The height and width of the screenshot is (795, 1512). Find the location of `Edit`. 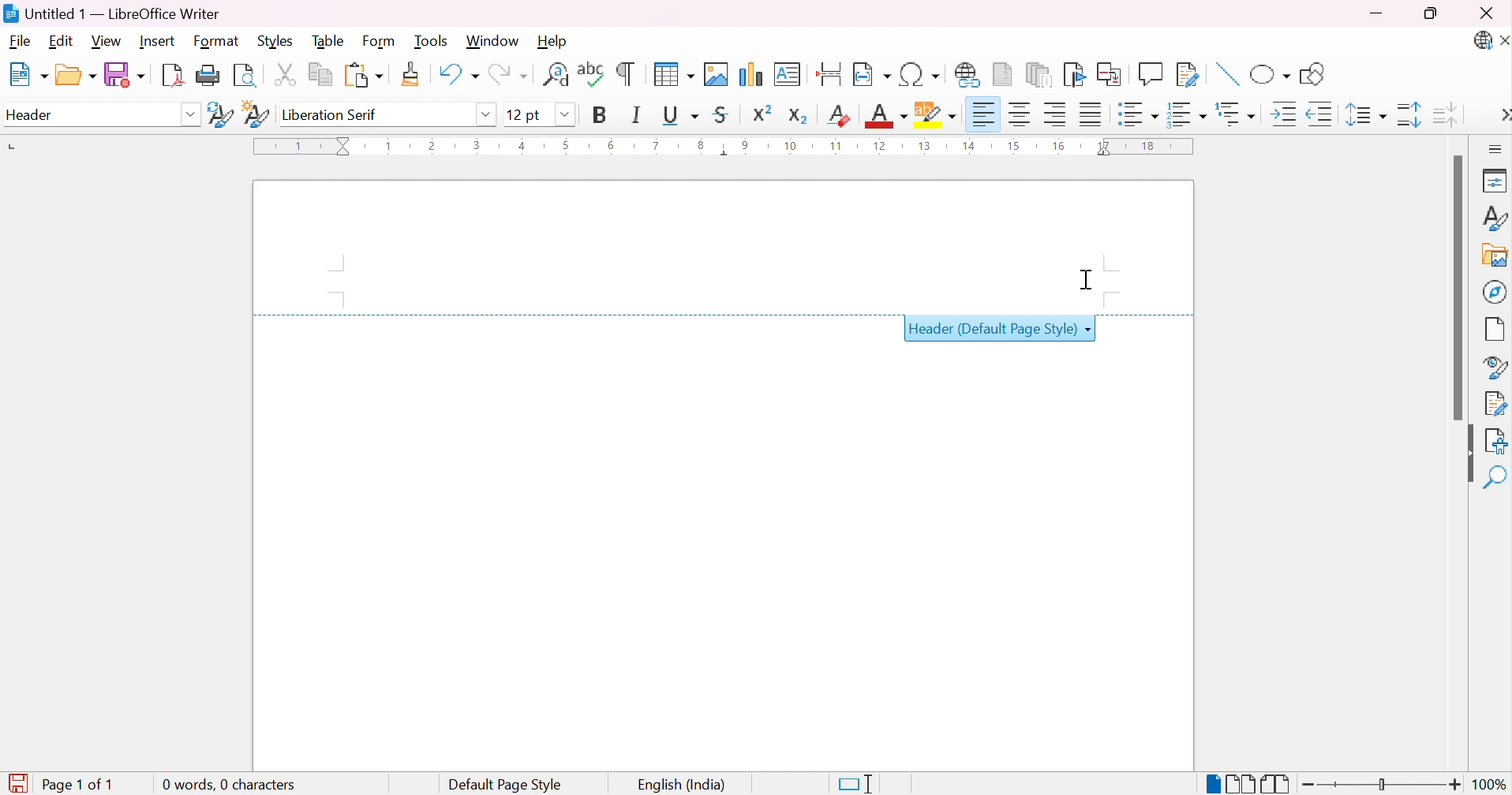

Edit is located at coordinates (65, 41).